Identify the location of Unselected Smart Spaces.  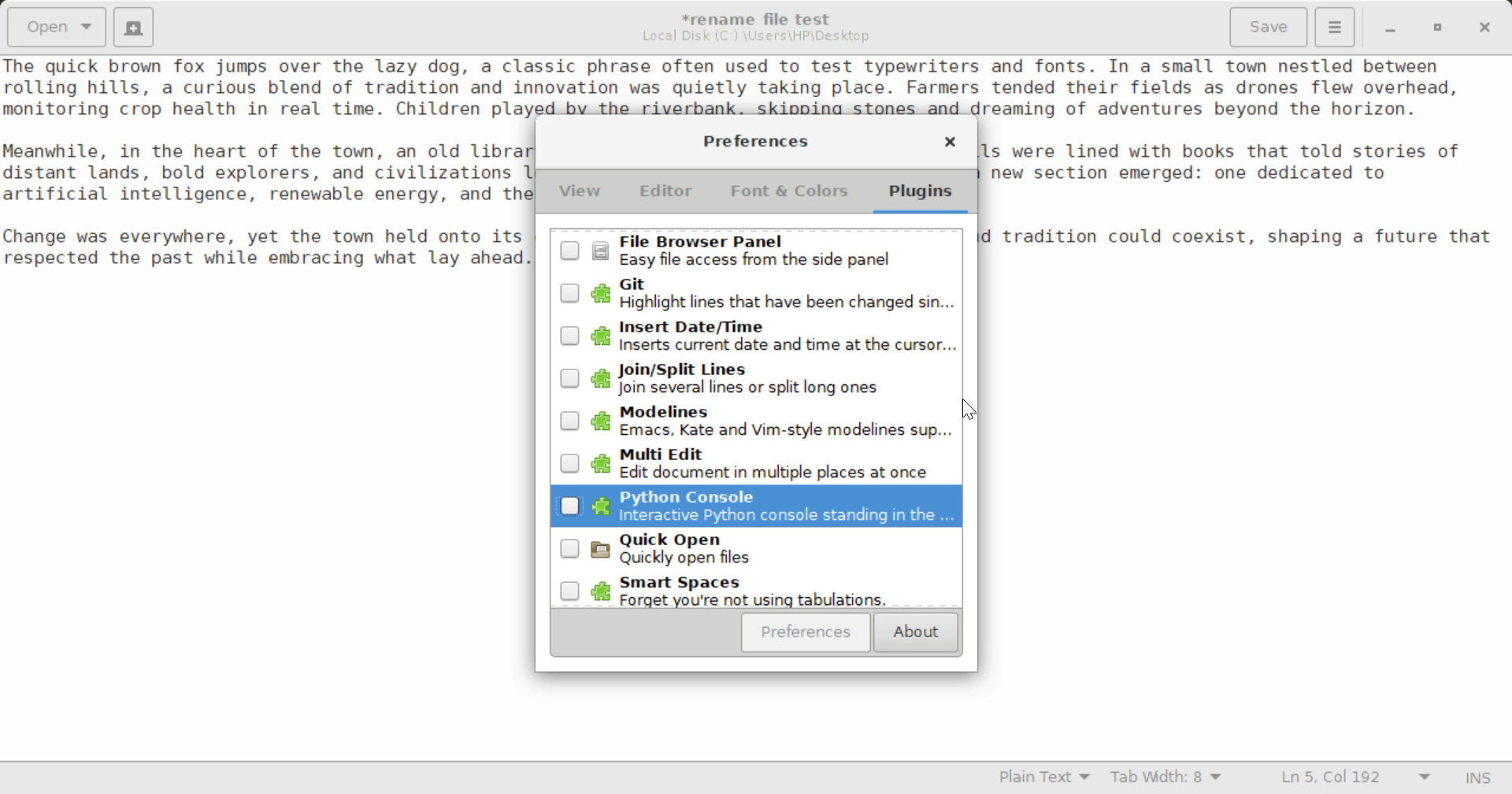
(754, 592).